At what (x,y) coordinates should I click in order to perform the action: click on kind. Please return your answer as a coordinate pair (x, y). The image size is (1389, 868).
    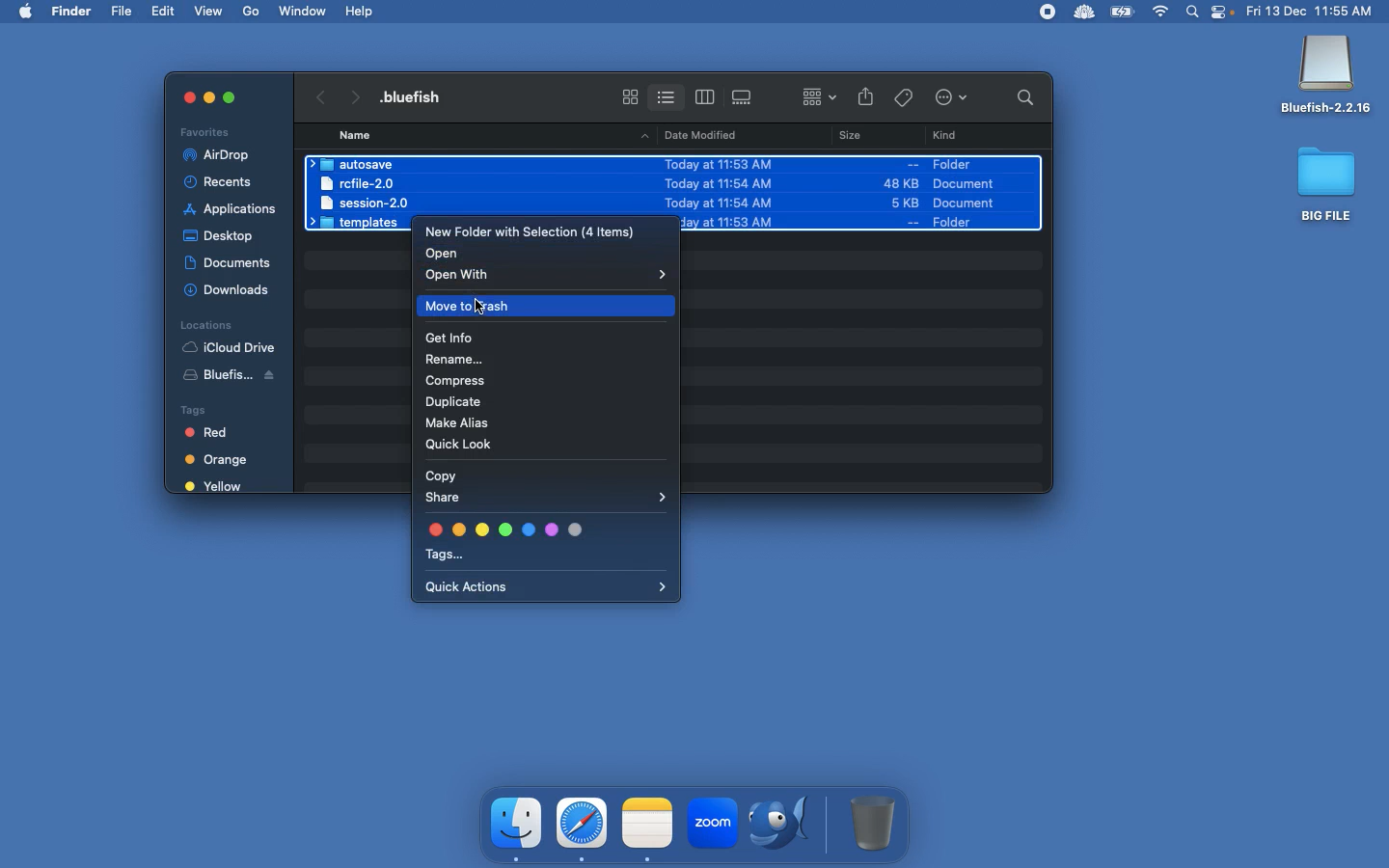
    Looking at the image, I should click on (949, 136).